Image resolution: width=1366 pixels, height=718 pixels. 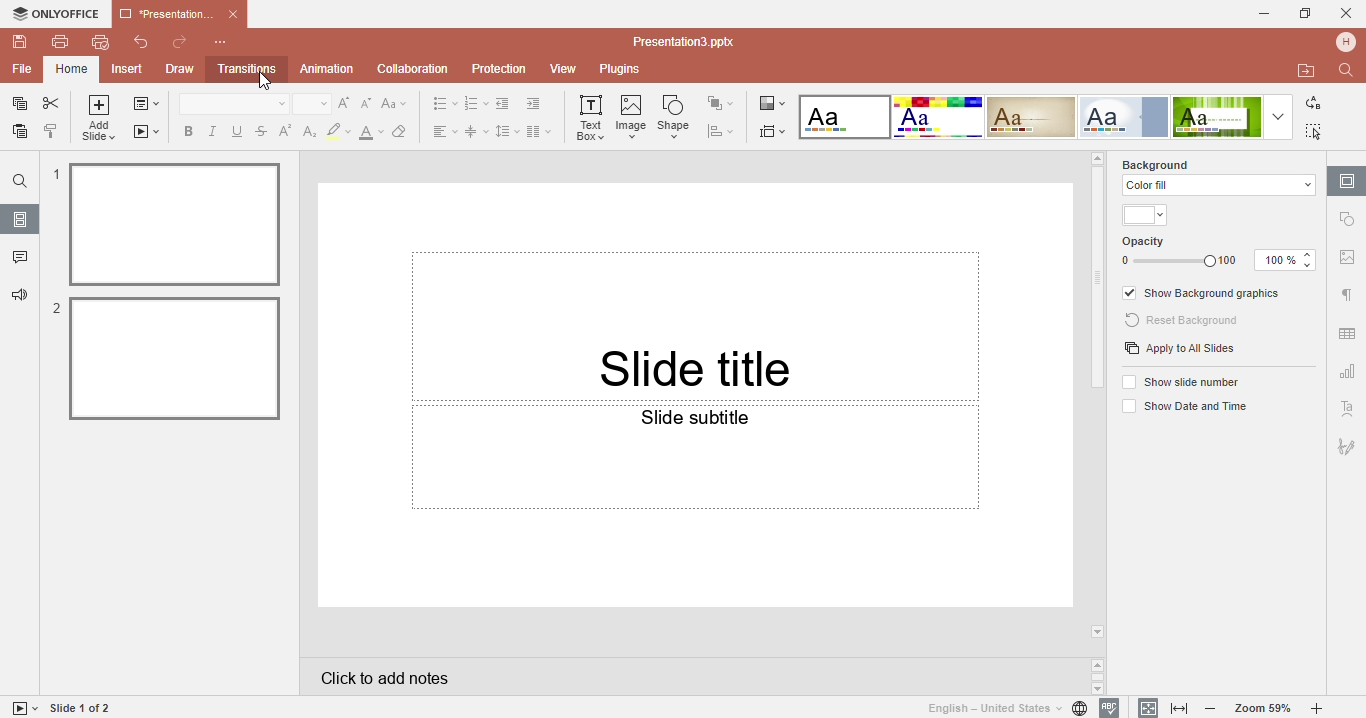 What do you see at coordinates (82, 708) in the screenshot?
I see `Slide 1 to 1` at bounding box center [82, 708].